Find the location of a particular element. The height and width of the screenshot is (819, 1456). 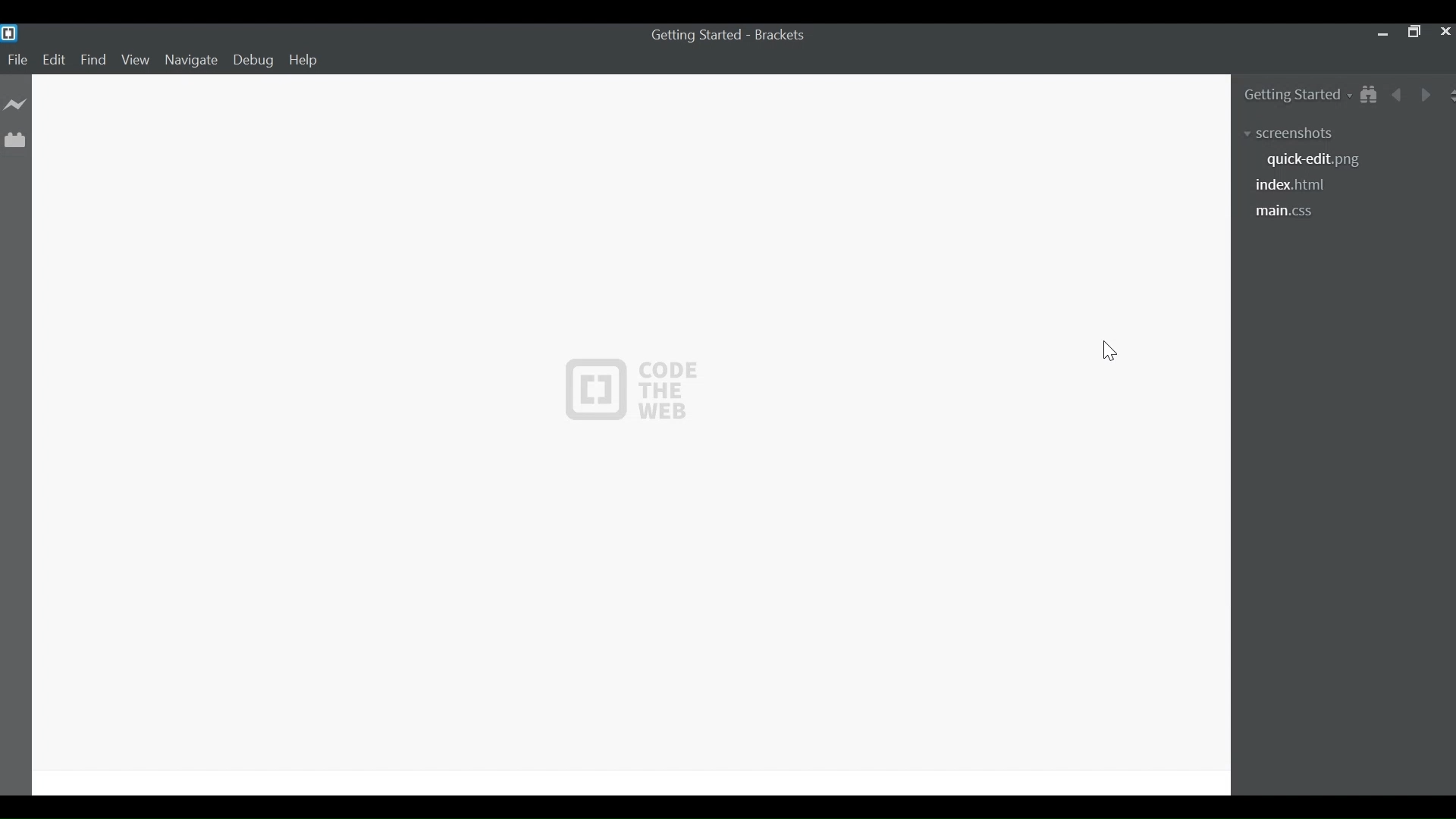

Navigate is located at coordinates (190, 61).